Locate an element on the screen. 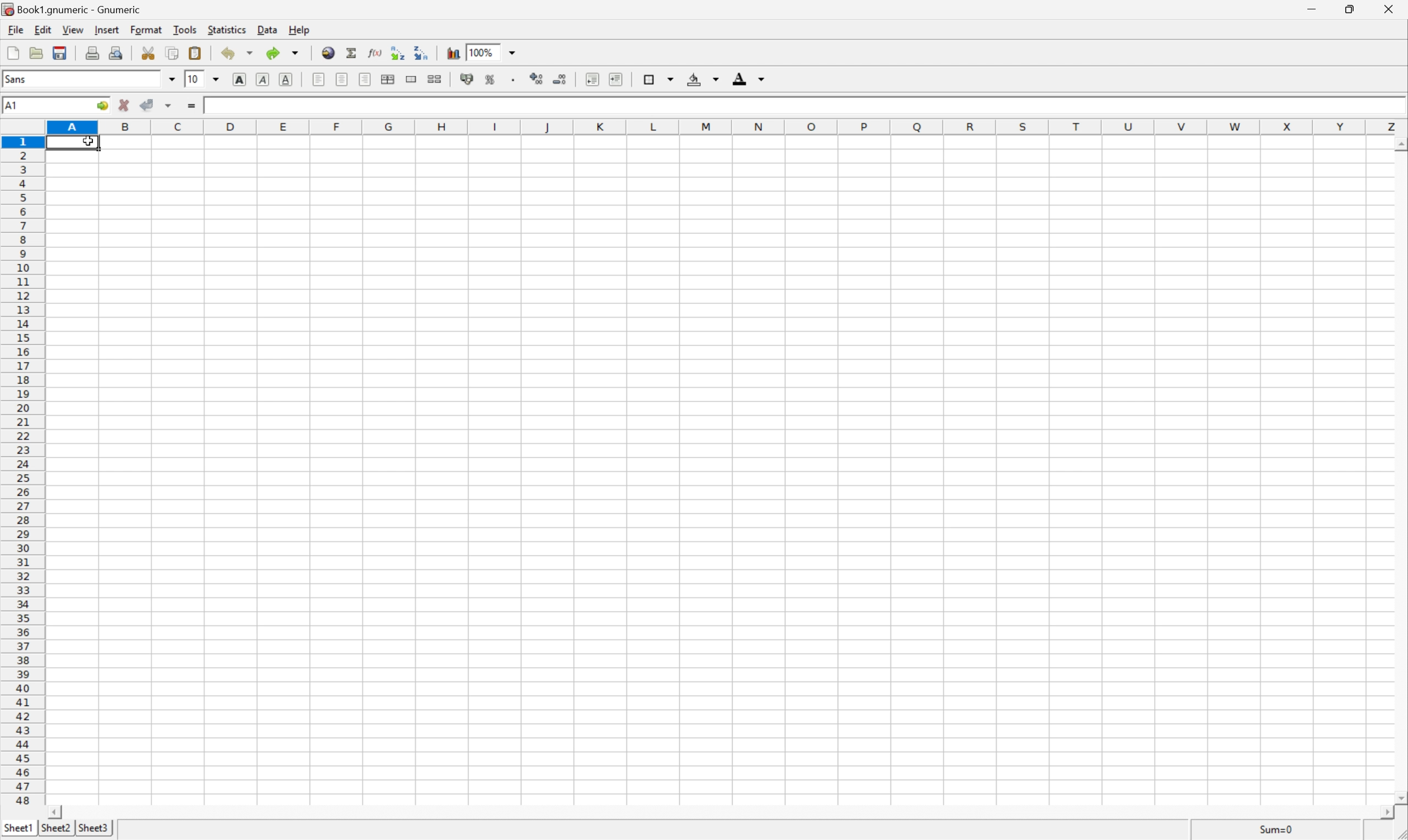 The width and height of the screenshot is (1408, 840). cut is located at coordinates (149, 53).